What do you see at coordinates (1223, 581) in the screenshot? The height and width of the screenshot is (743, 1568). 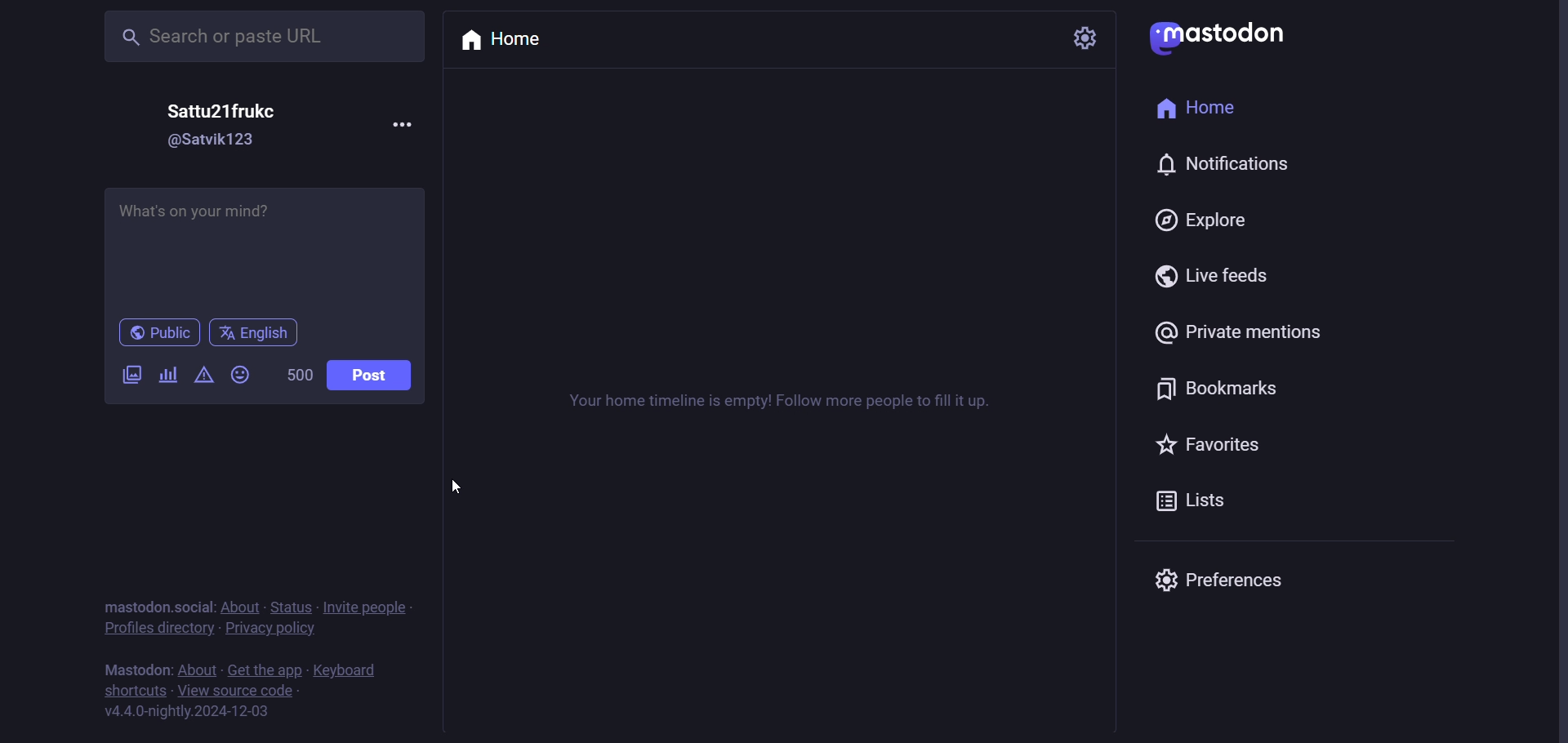 I see `preferences` at bounding box center [1223, 581].